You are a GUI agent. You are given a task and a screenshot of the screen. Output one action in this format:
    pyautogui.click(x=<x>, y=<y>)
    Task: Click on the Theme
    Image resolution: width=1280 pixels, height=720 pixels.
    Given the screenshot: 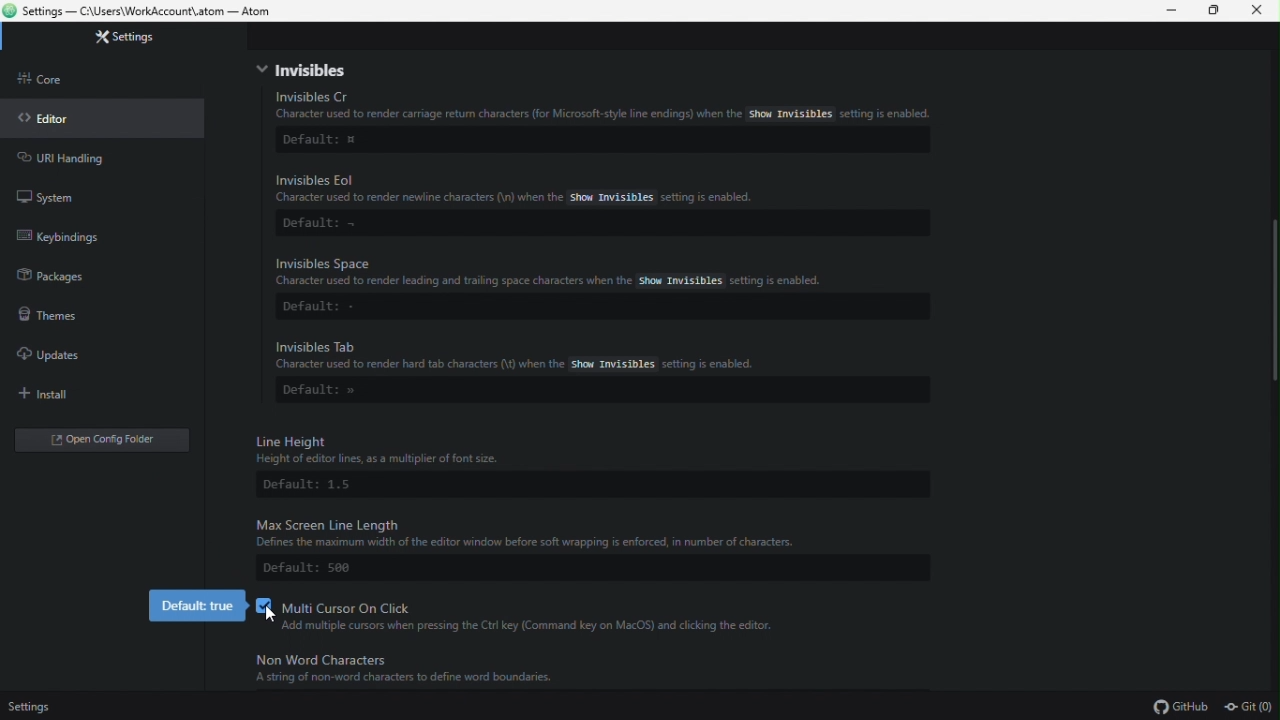 What is the action you would take?
    pyautogui.click(x=62, y=317)
    